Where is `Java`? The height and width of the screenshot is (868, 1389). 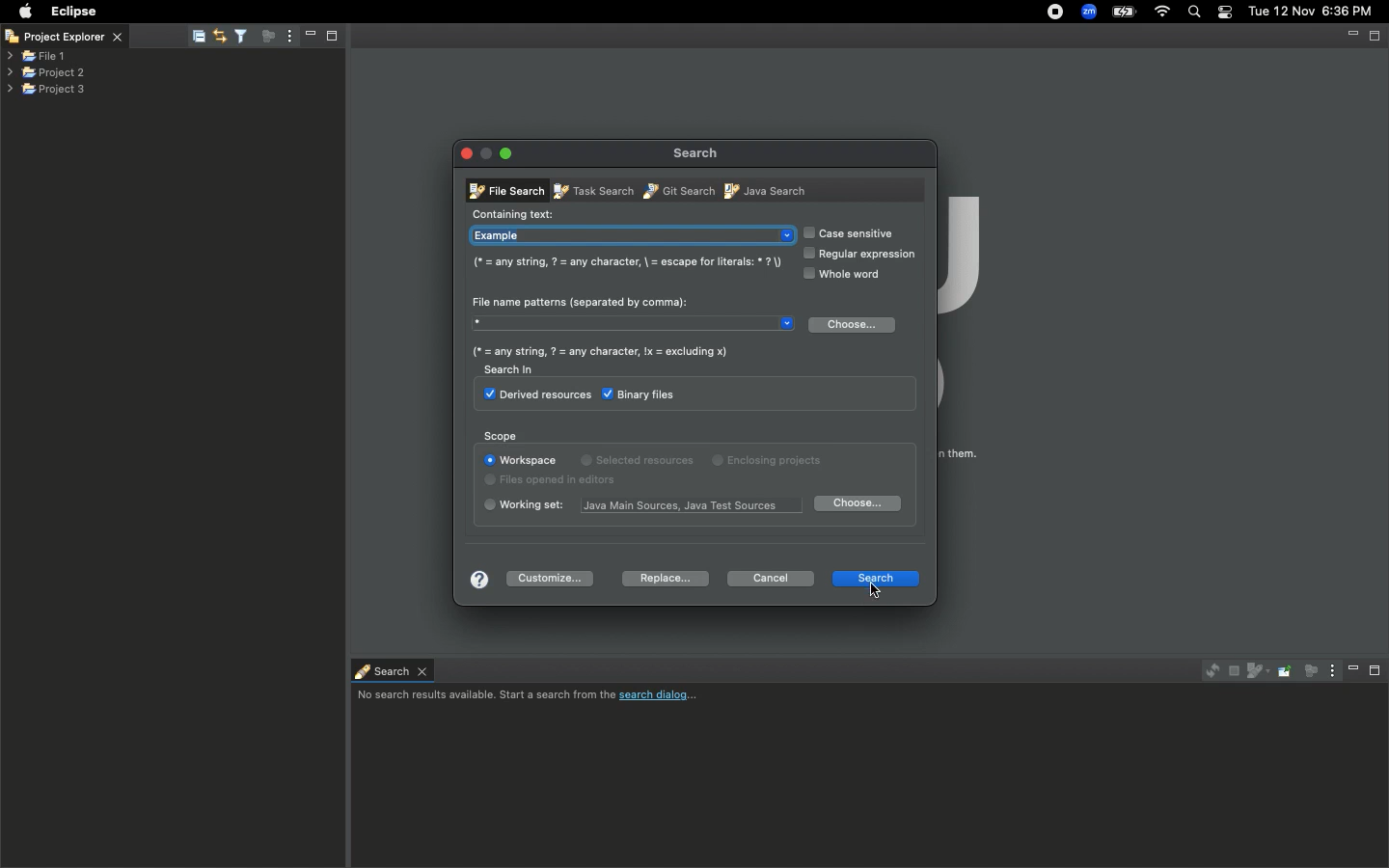
Java is located at coordinates (767, 190).